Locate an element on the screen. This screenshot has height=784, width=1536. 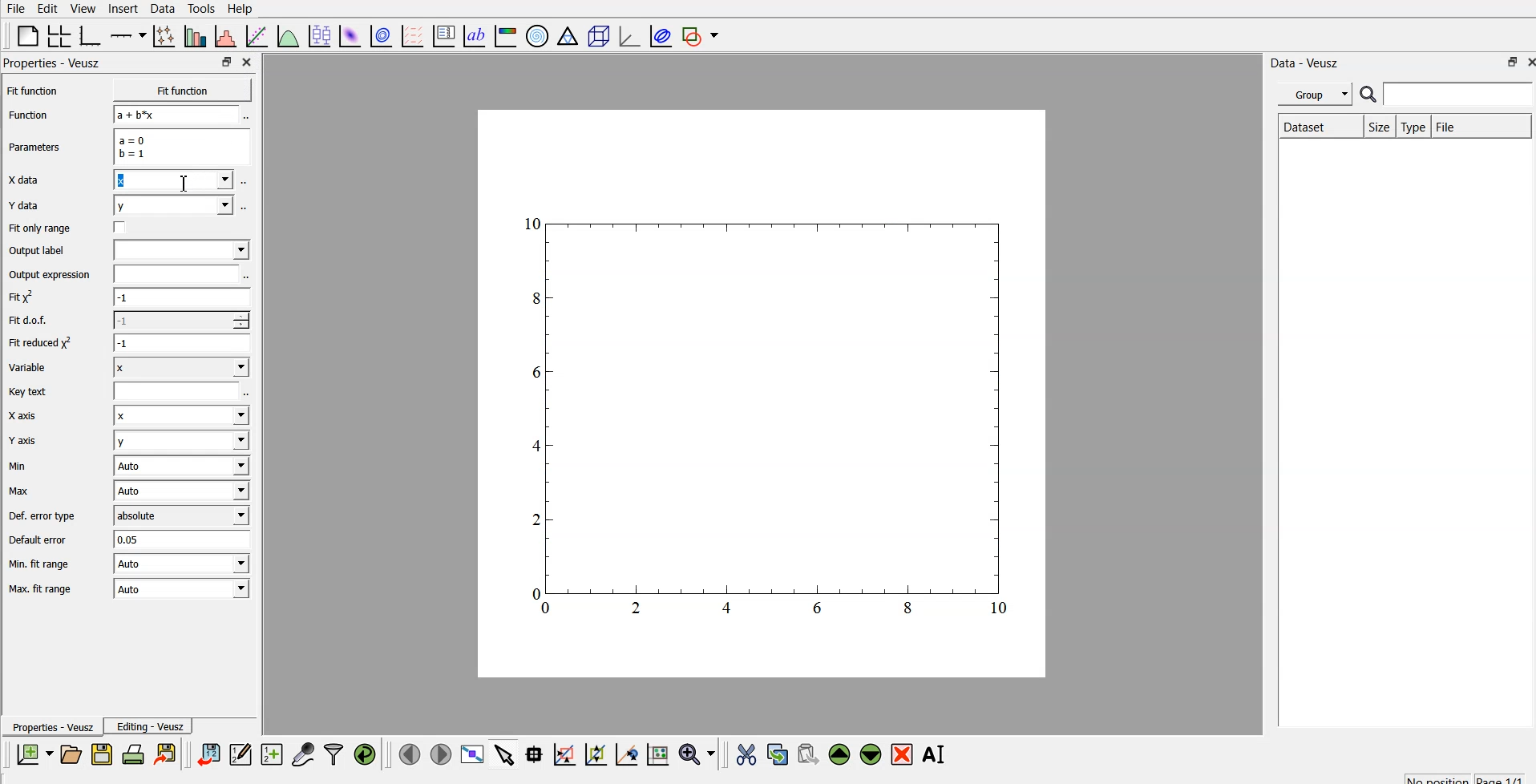
reload linked data sets is located at coordinates (367, 755).